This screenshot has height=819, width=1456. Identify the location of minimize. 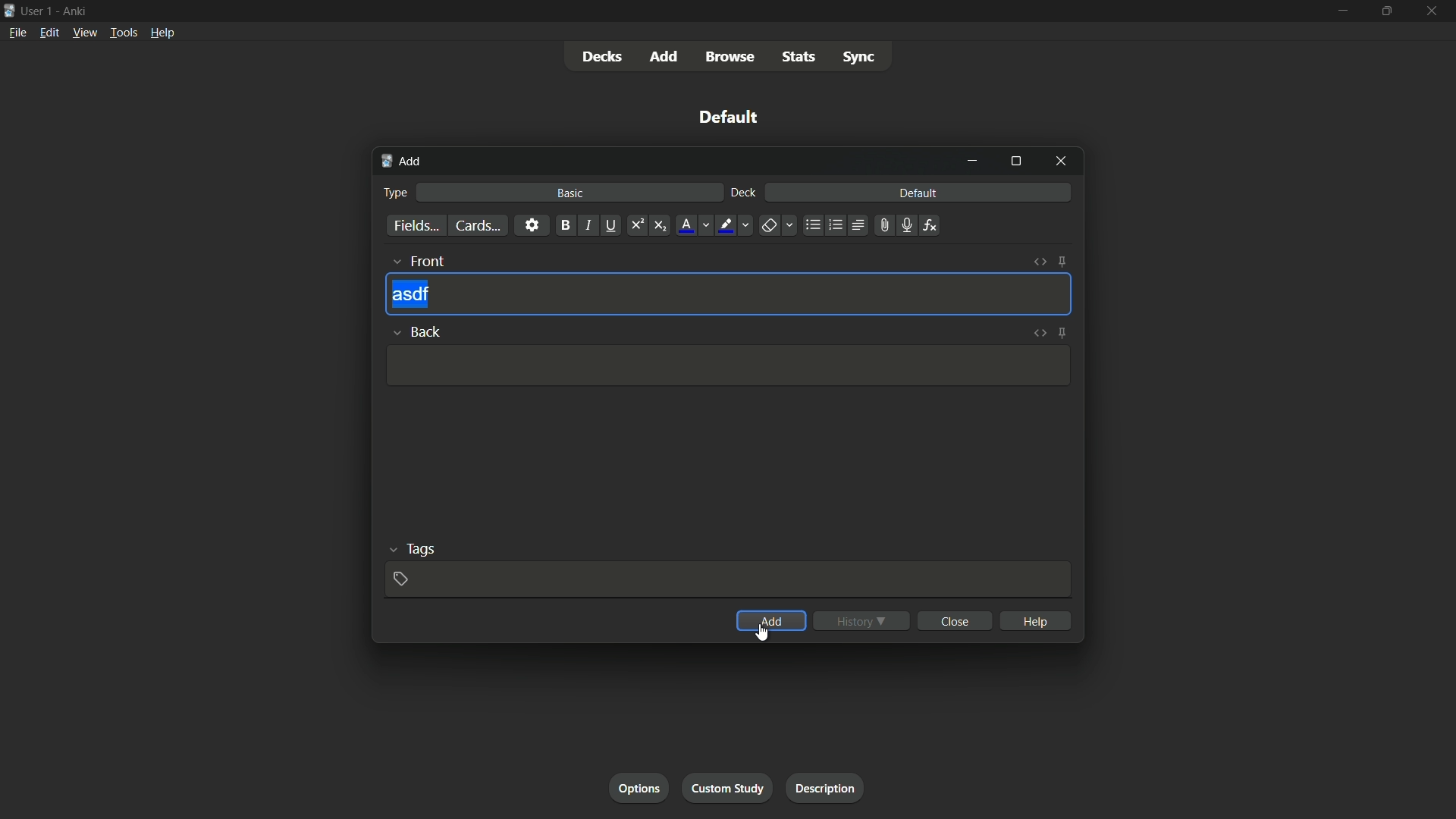
(972, 161).